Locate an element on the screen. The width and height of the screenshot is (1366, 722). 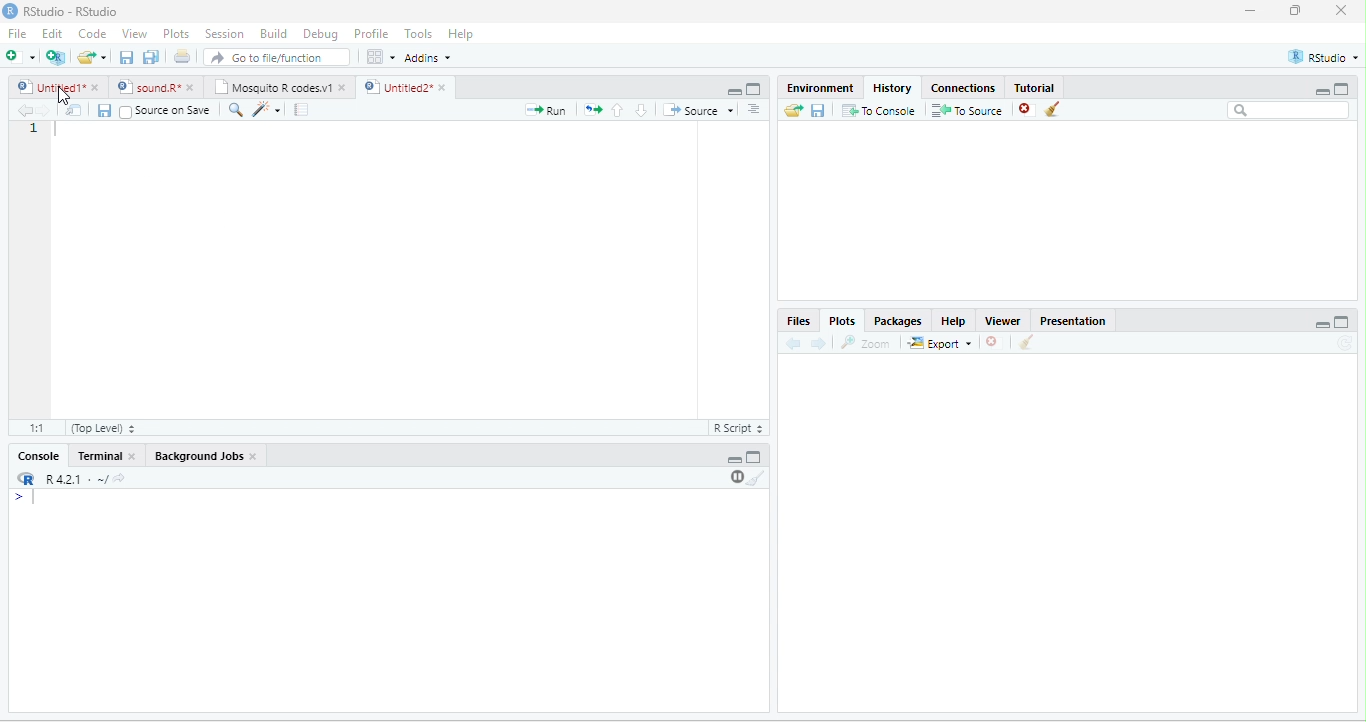
Session is located at coordinates (226, 35).